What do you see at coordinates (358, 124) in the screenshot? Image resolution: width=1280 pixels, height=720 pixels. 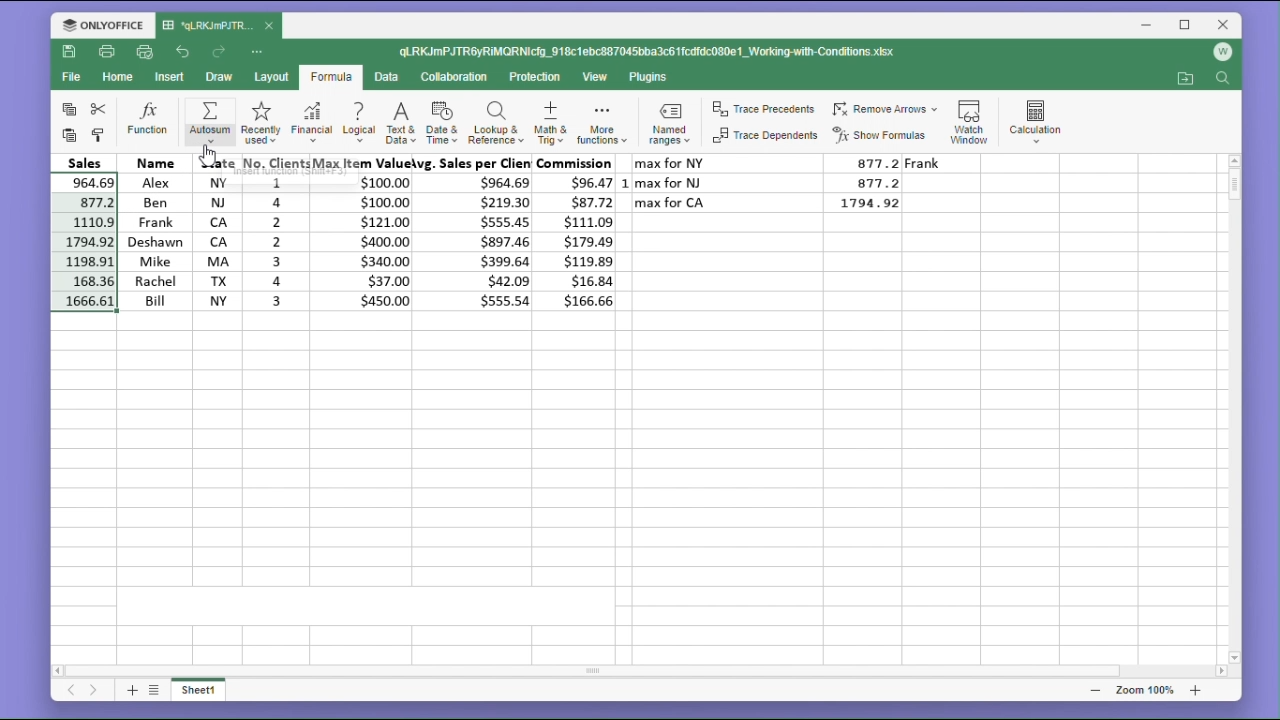 I see `logical` at bounding box center [358, 124].